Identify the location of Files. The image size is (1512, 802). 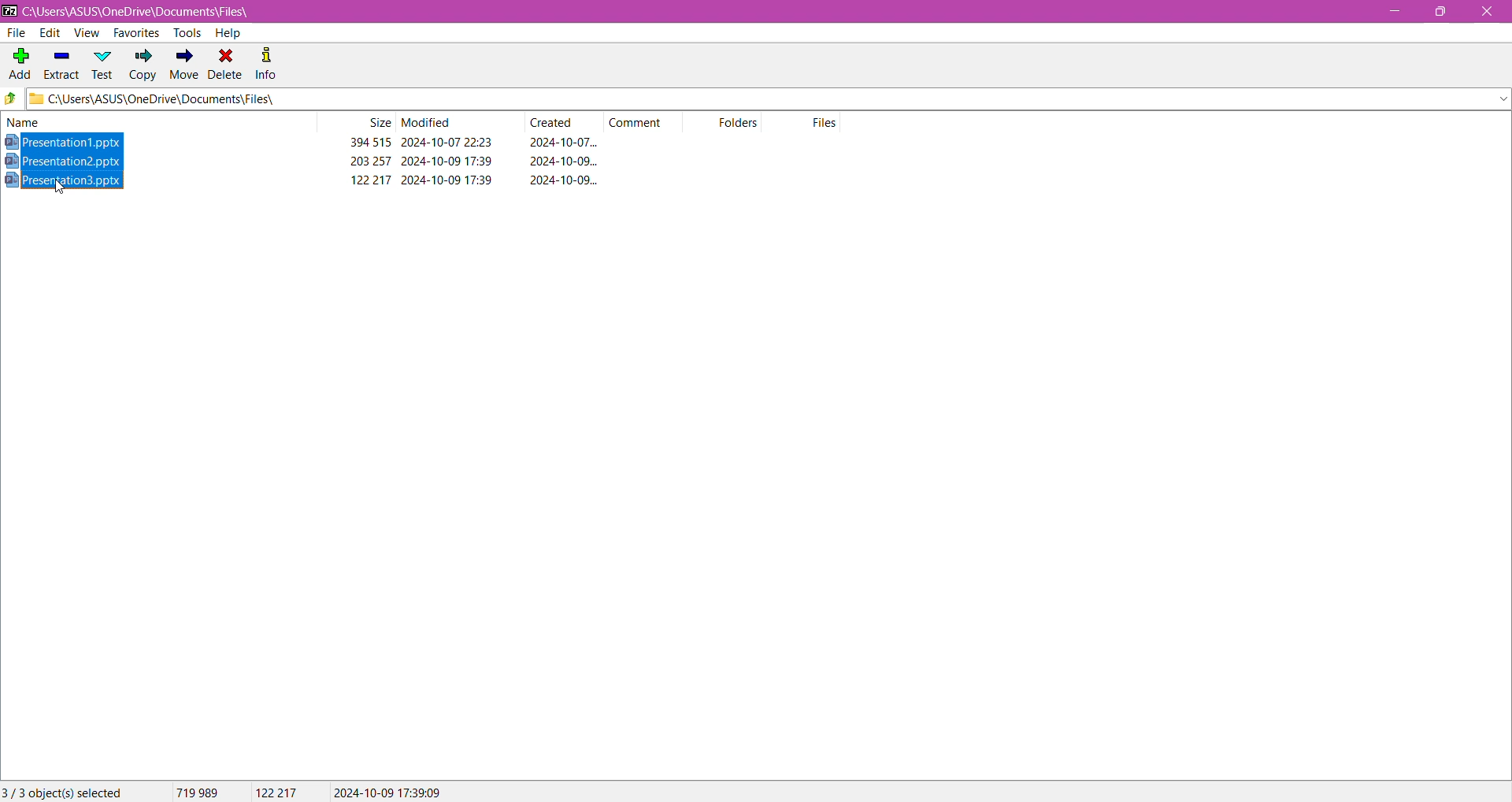
(827, 122).